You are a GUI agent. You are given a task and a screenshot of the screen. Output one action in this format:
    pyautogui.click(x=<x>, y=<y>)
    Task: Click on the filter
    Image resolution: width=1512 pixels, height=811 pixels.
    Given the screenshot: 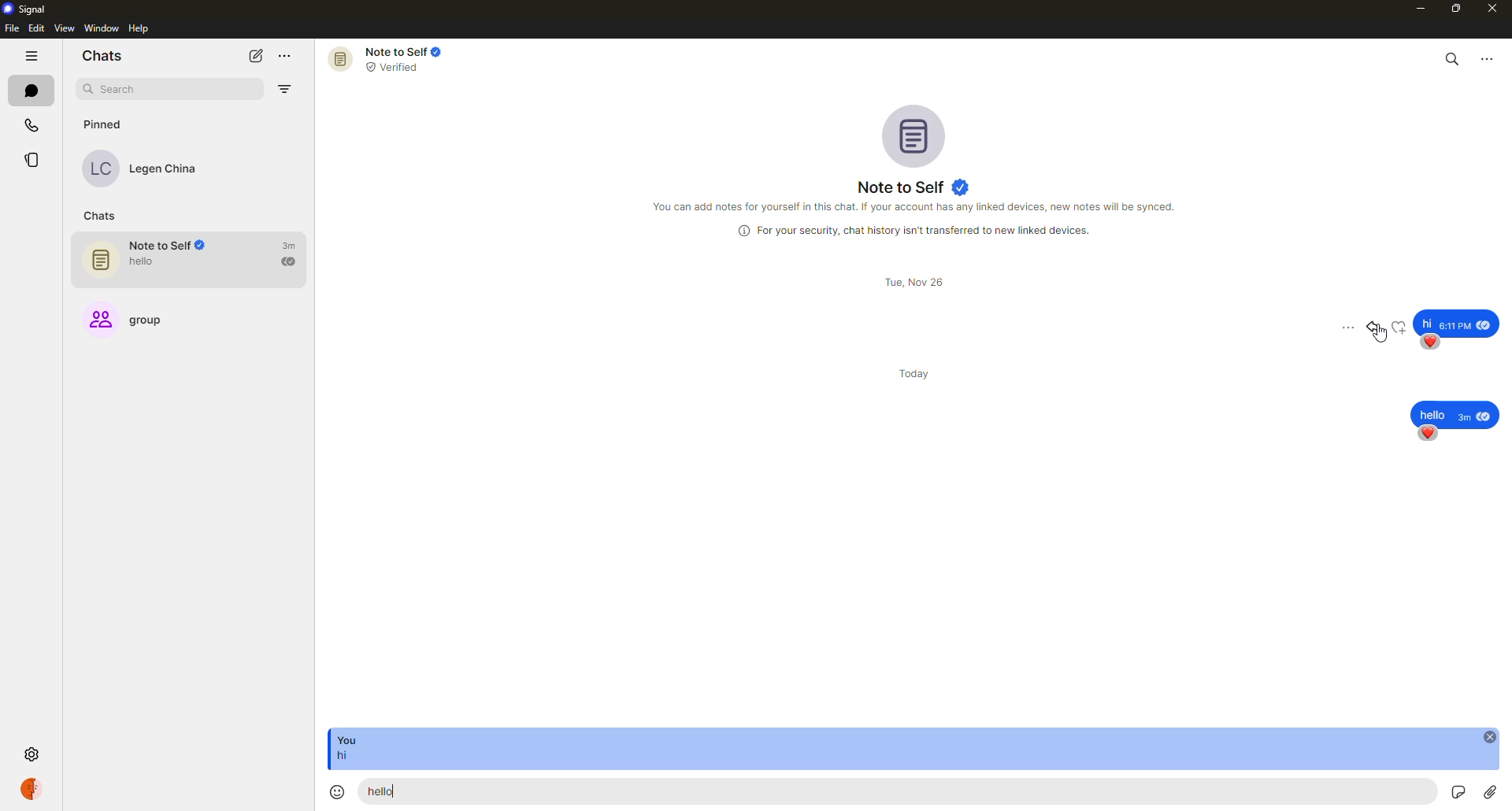 What is the action you would take?
    pyautogui.click(x=286, y=91)
    